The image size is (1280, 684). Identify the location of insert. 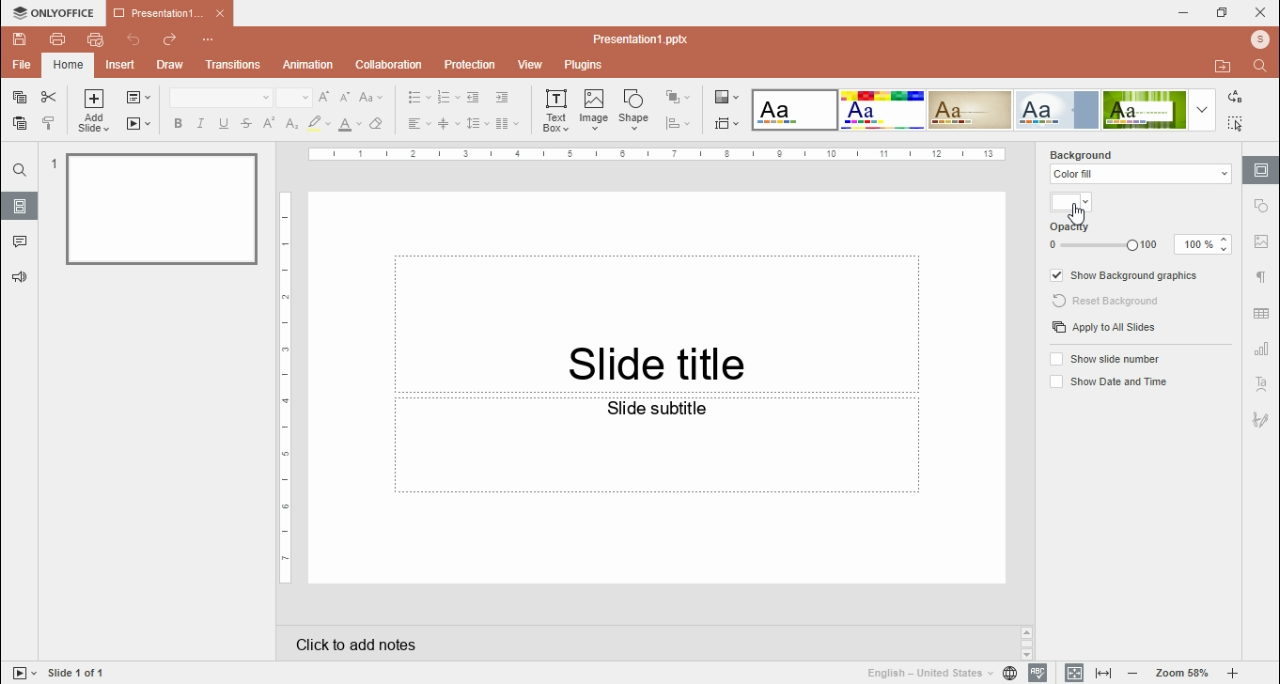
(120, 66).